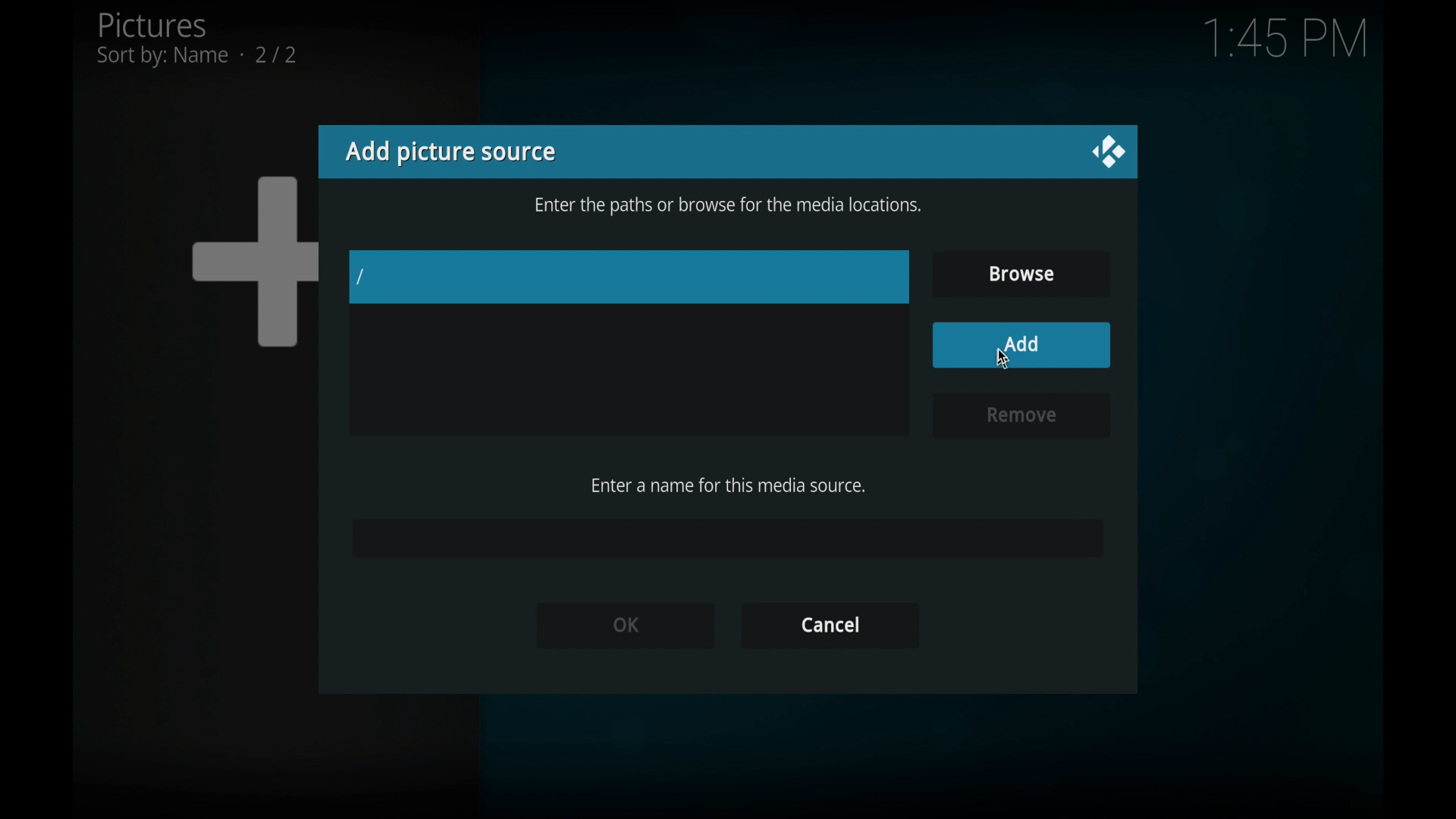  Describe the element at coordinates (1021, 345) in the screenshot. I see `add` at that location.